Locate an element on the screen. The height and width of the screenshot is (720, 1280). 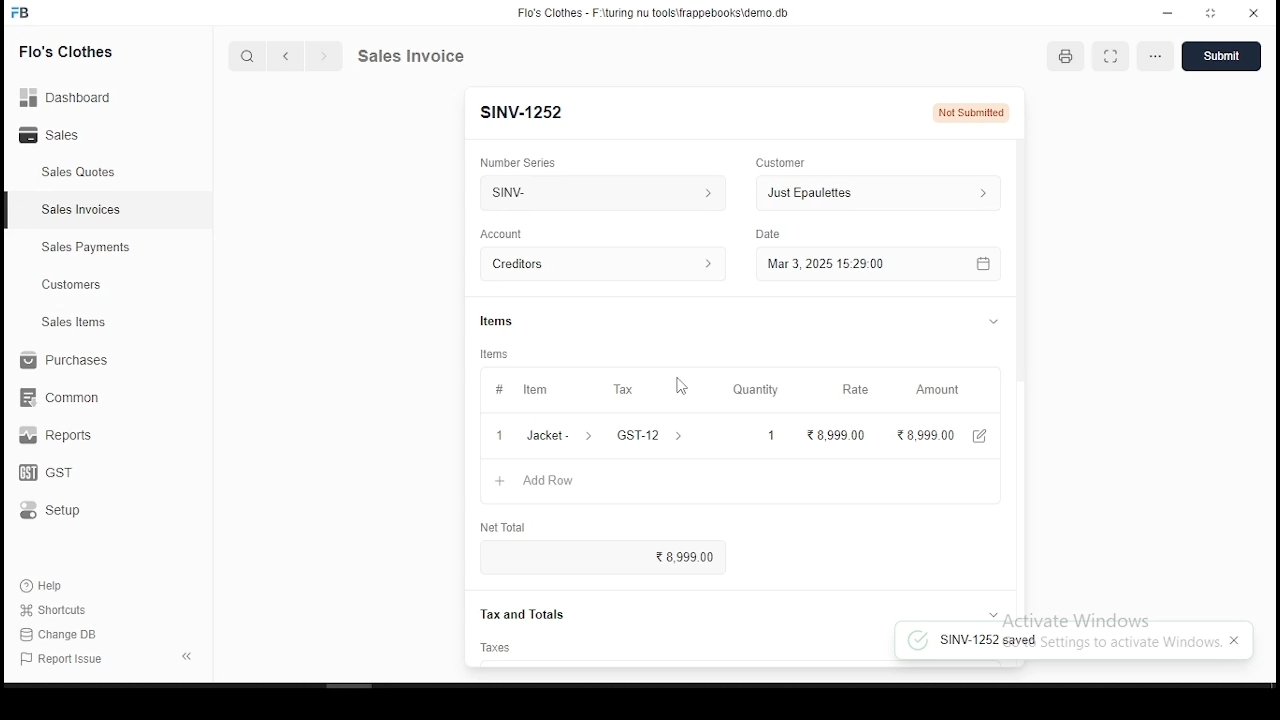
rate is located at coordinates (855, 390).